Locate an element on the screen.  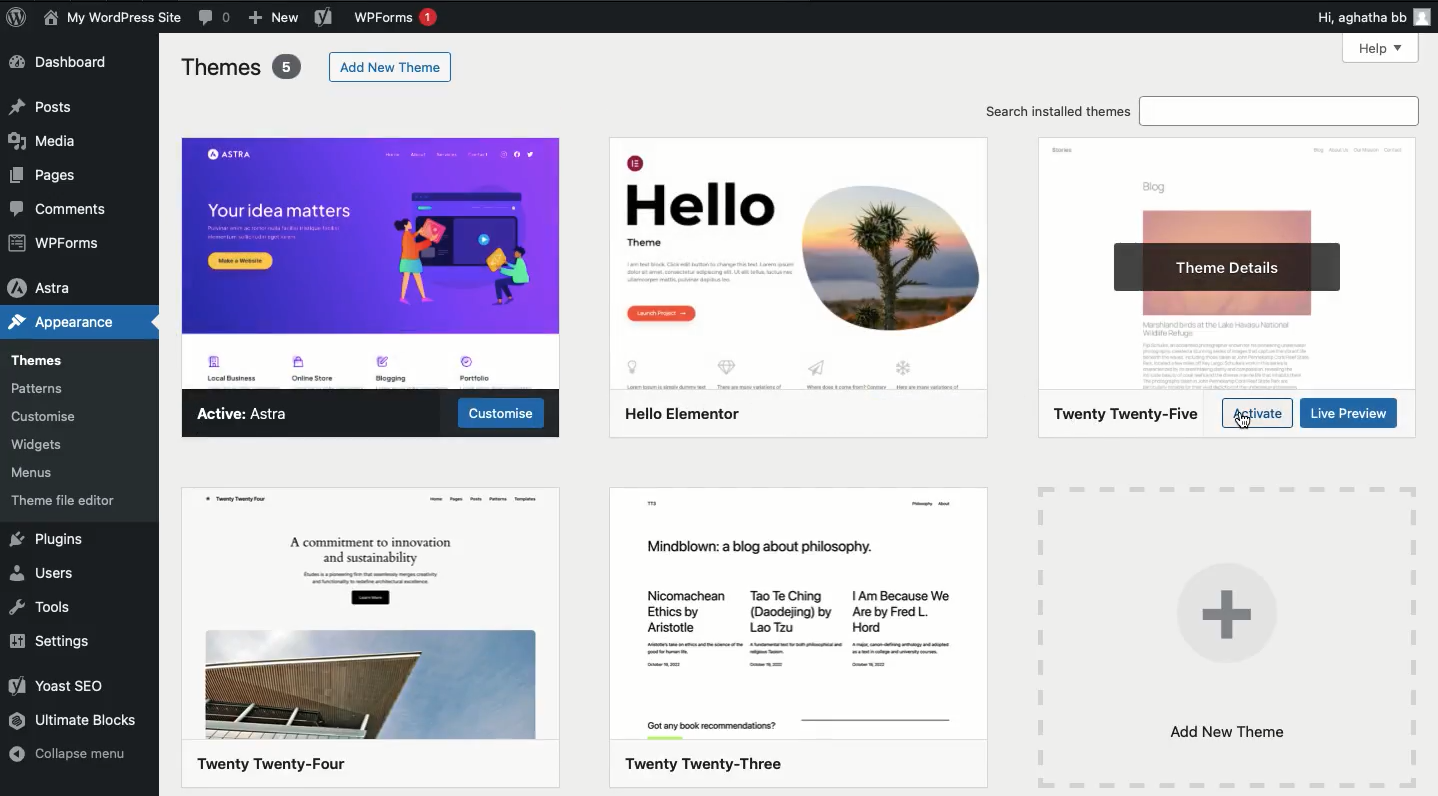
Collapse menu is located at coordinates (64, 754).